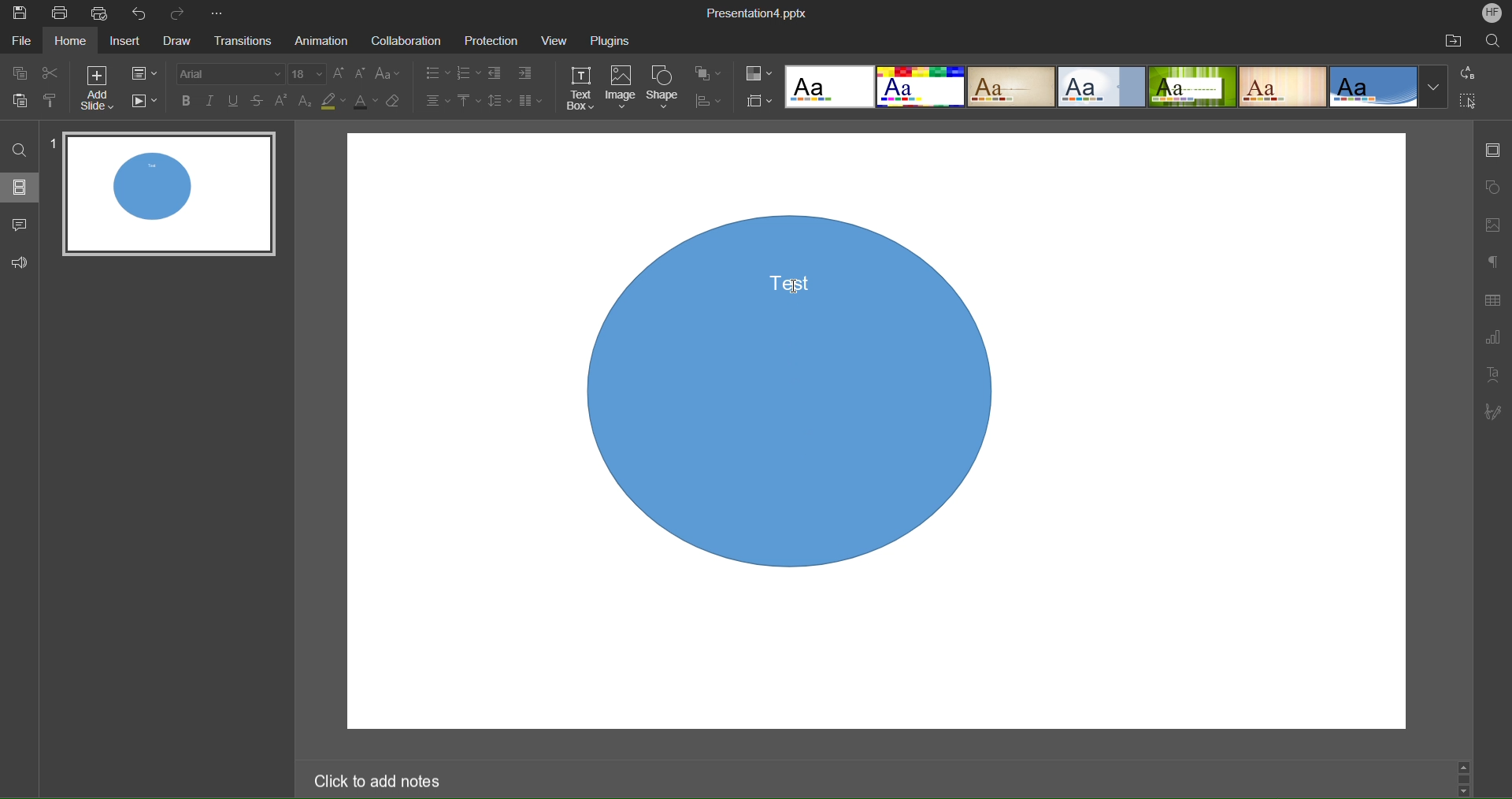 The height and width of the screenshot is (799, 1512). What do you see at coordinates (141, 71) in the screenshot?
I see `Slide Settings` at bounding box center [141, 71].